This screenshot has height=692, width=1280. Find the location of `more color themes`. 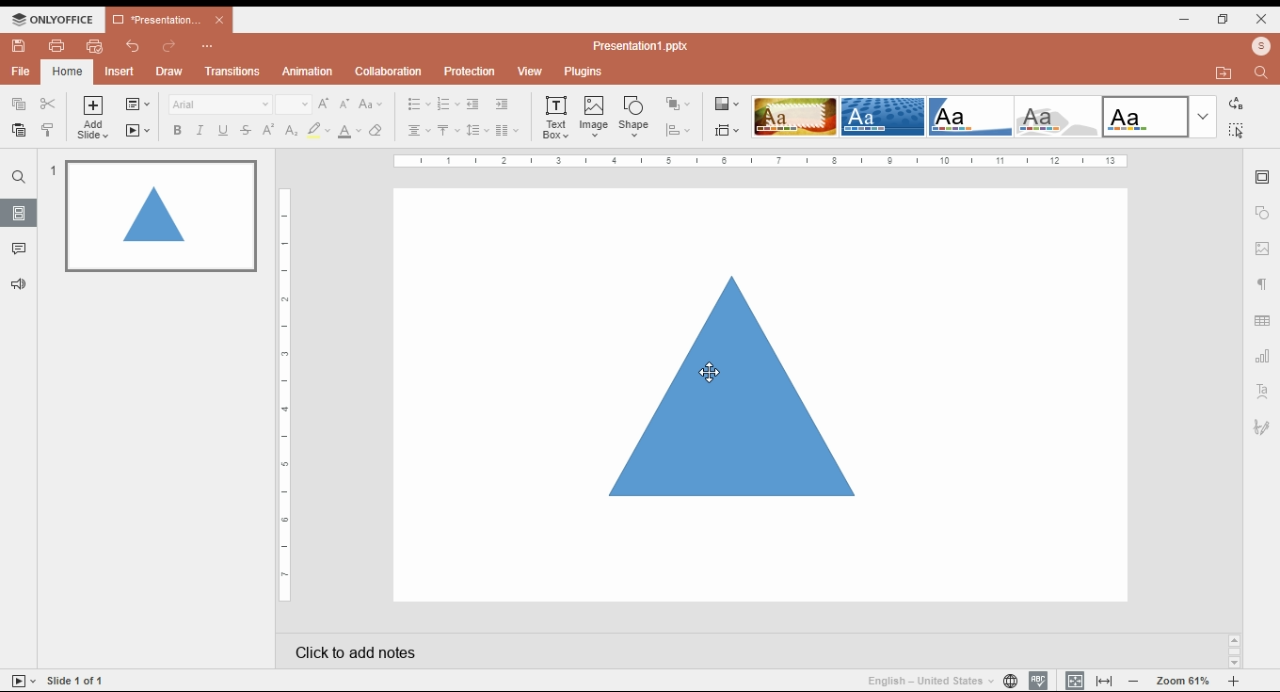

more color themes is located at coordinates (1203, 118).